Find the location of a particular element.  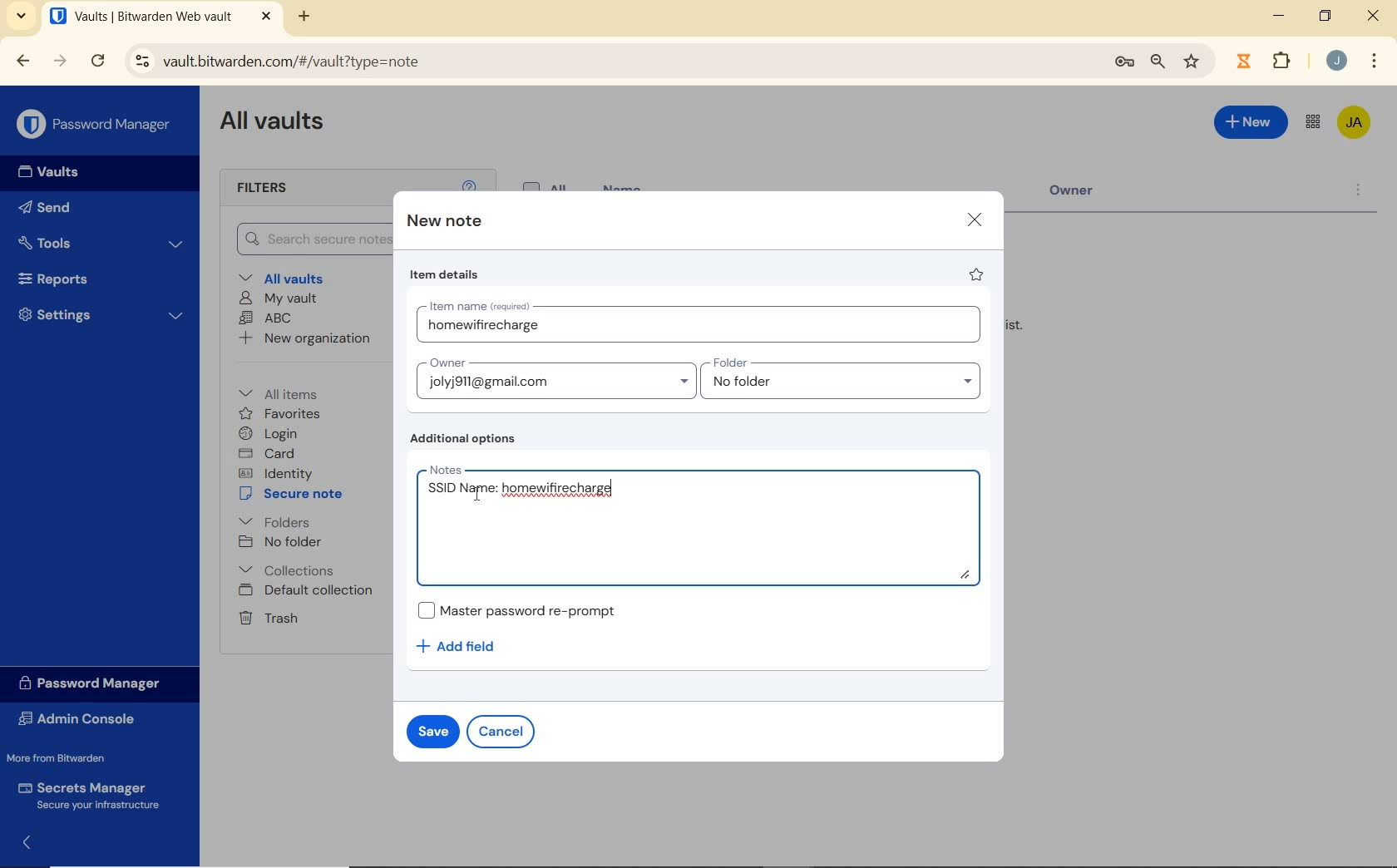

item name is located at coordinates (703, 324).